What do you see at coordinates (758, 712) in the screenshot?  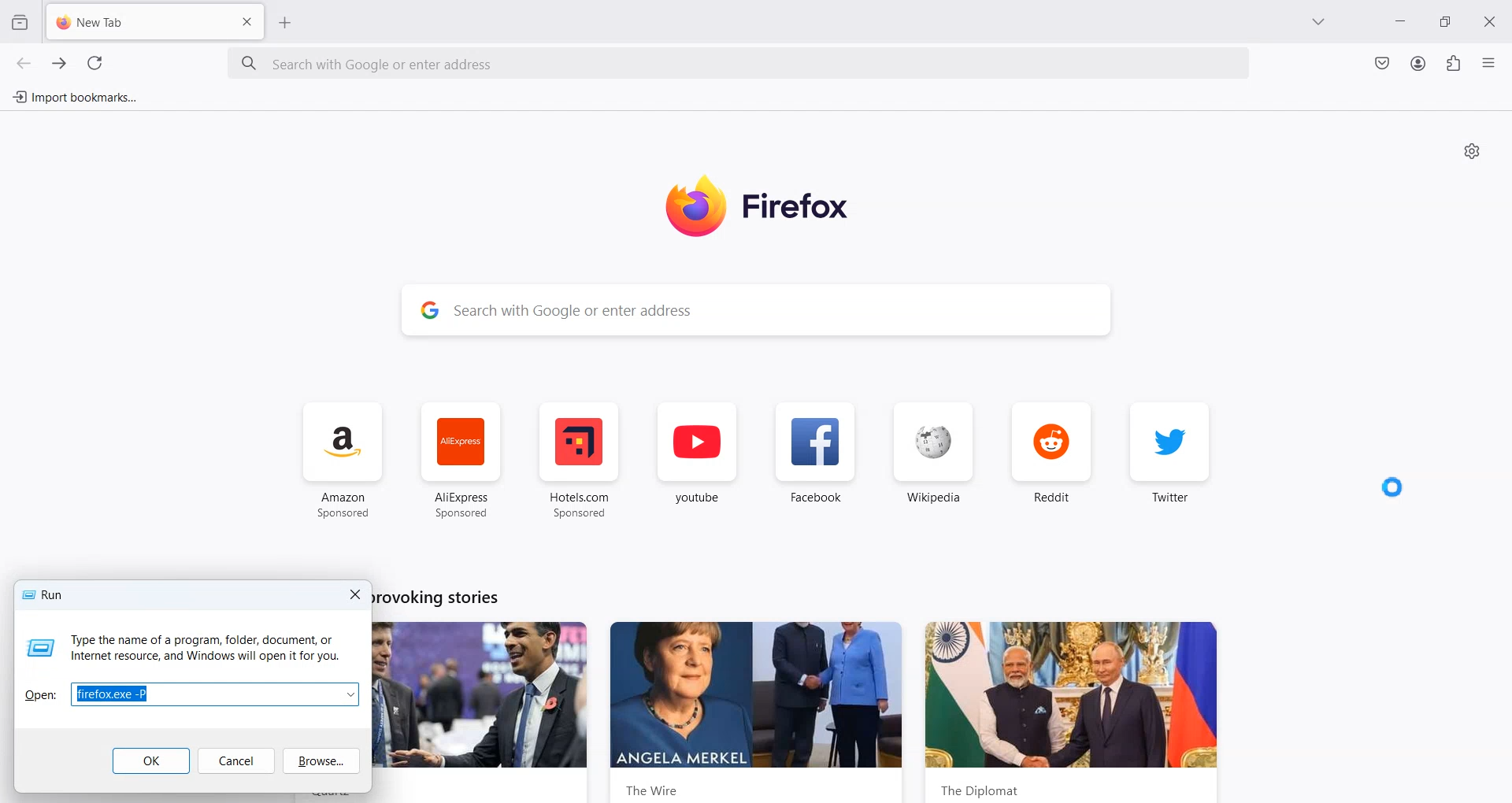 I see `the wire` at bounding box center [758, 712].